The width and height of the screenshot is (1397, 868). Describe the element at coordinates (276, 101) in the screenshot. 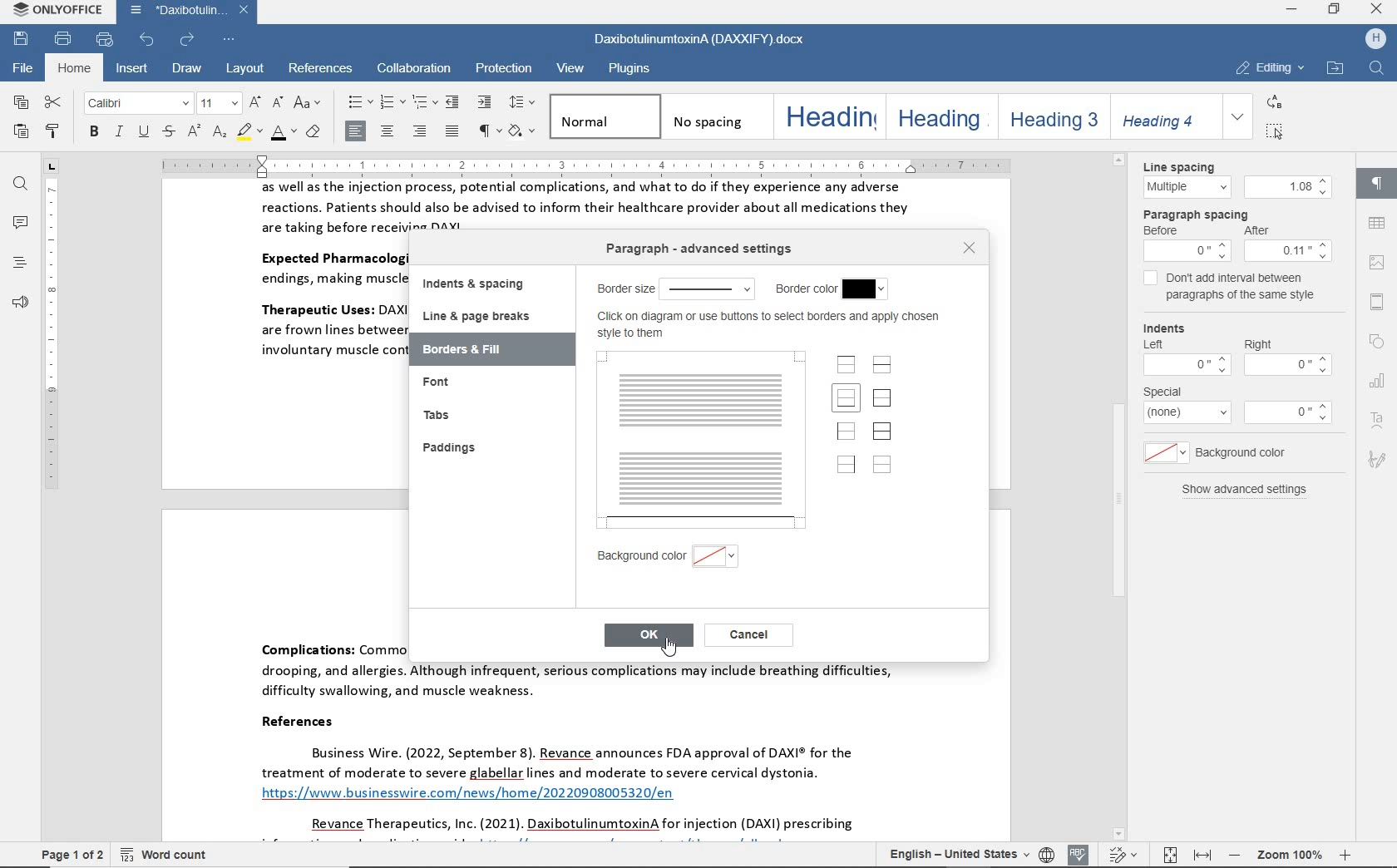

I see `decrement font size` at that location.